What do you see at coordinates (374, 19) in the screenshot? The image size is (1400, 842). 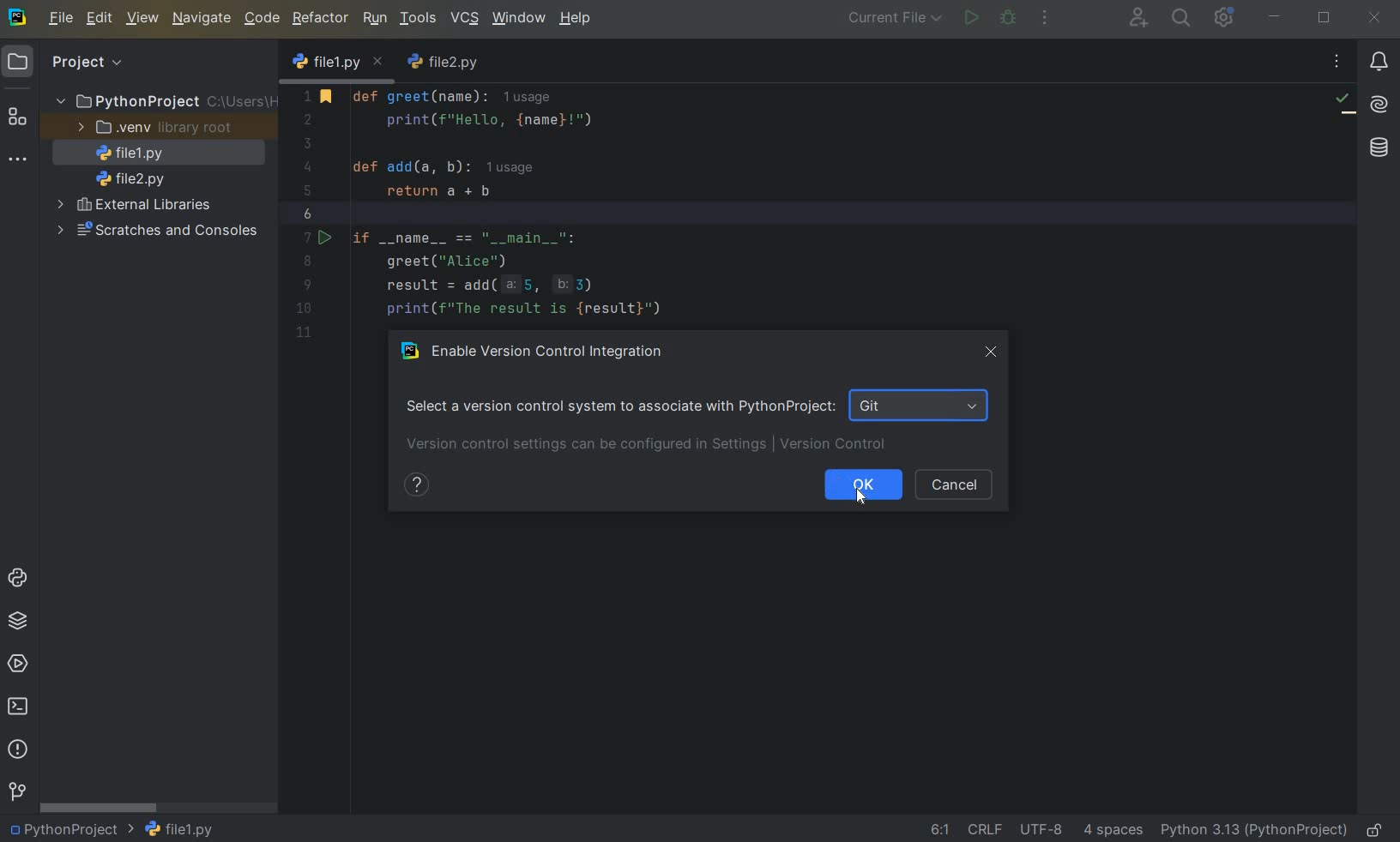 I see `run` at bounding box center [374, 19].